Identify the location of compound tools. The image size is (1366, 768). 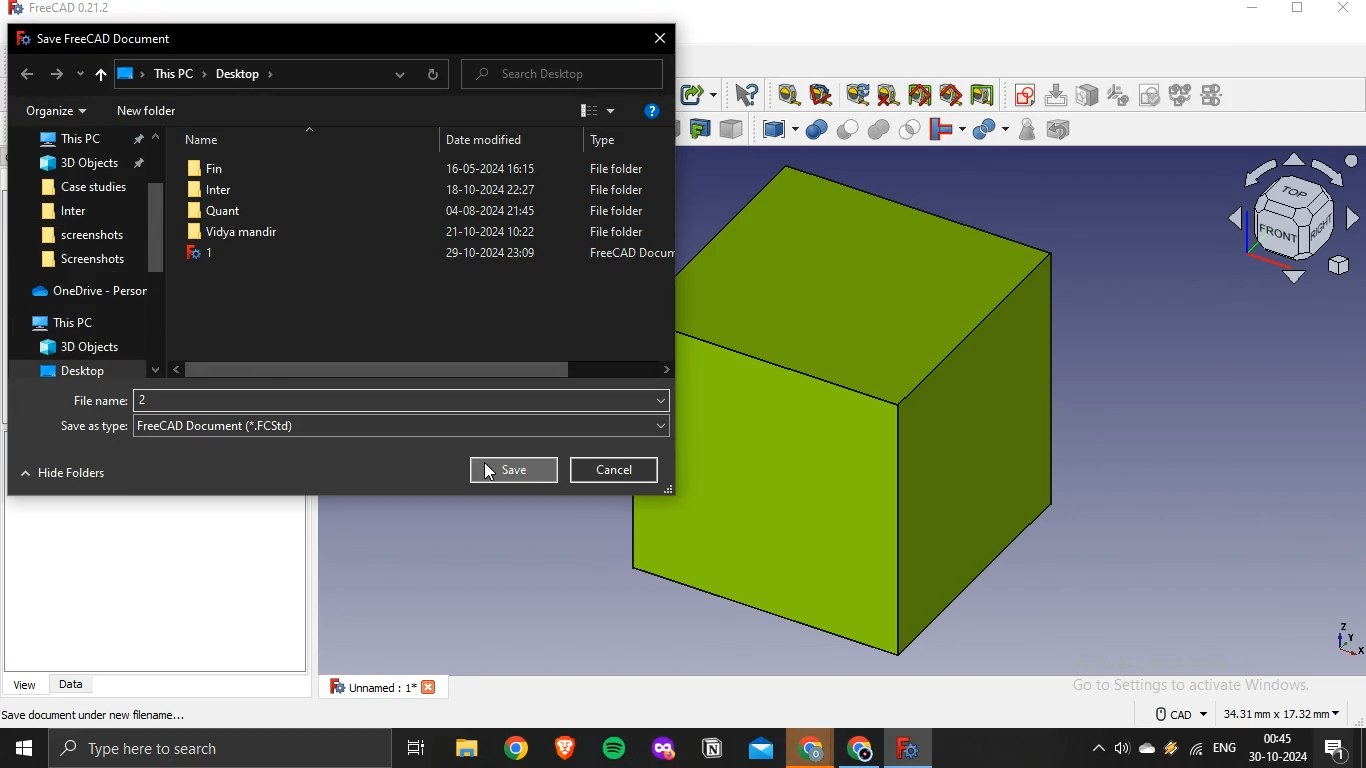
(777, 128).